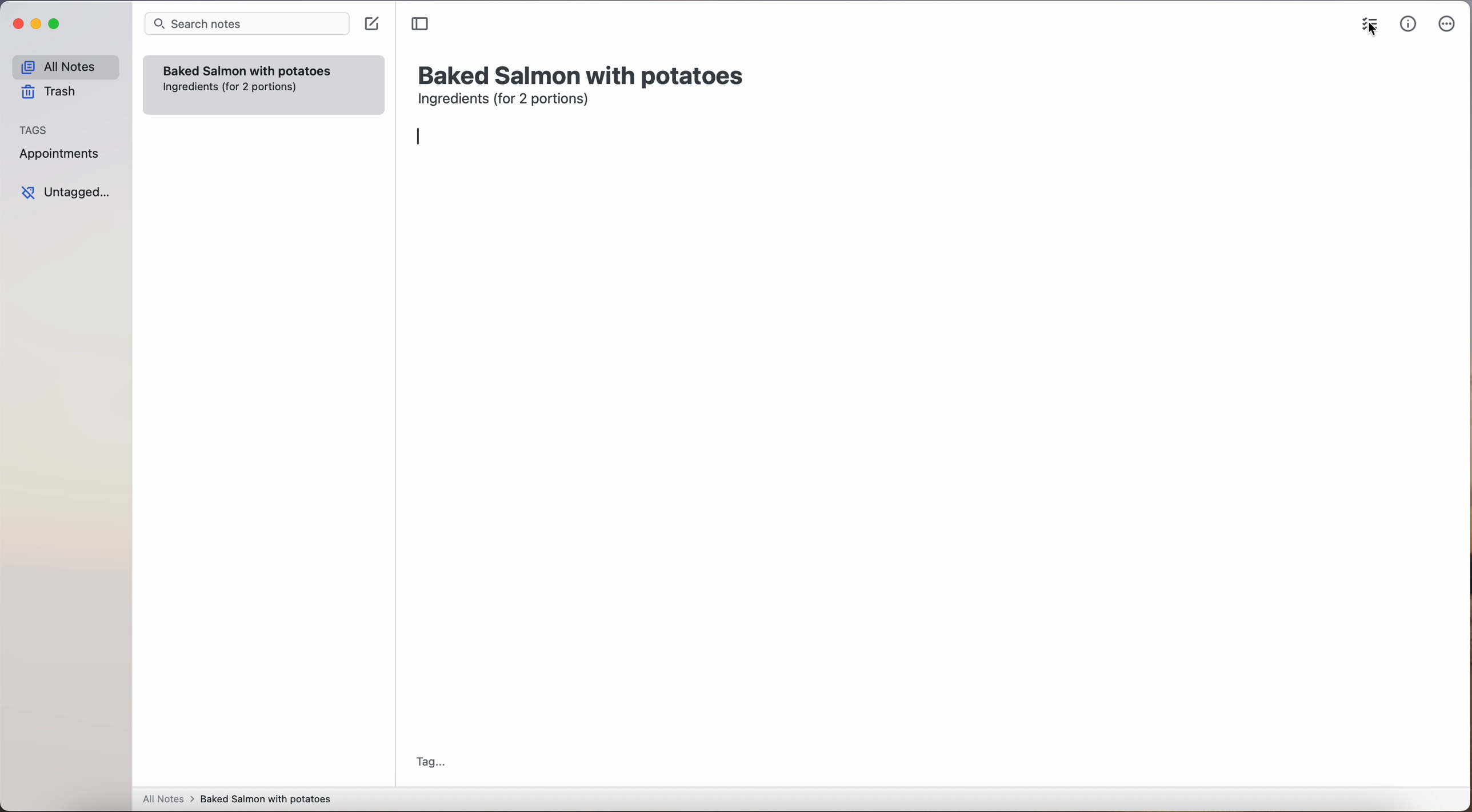  What do you see at coordinates (1367, 20) in the screenshot?
I see `check list` at bounding box center [1367, 20].